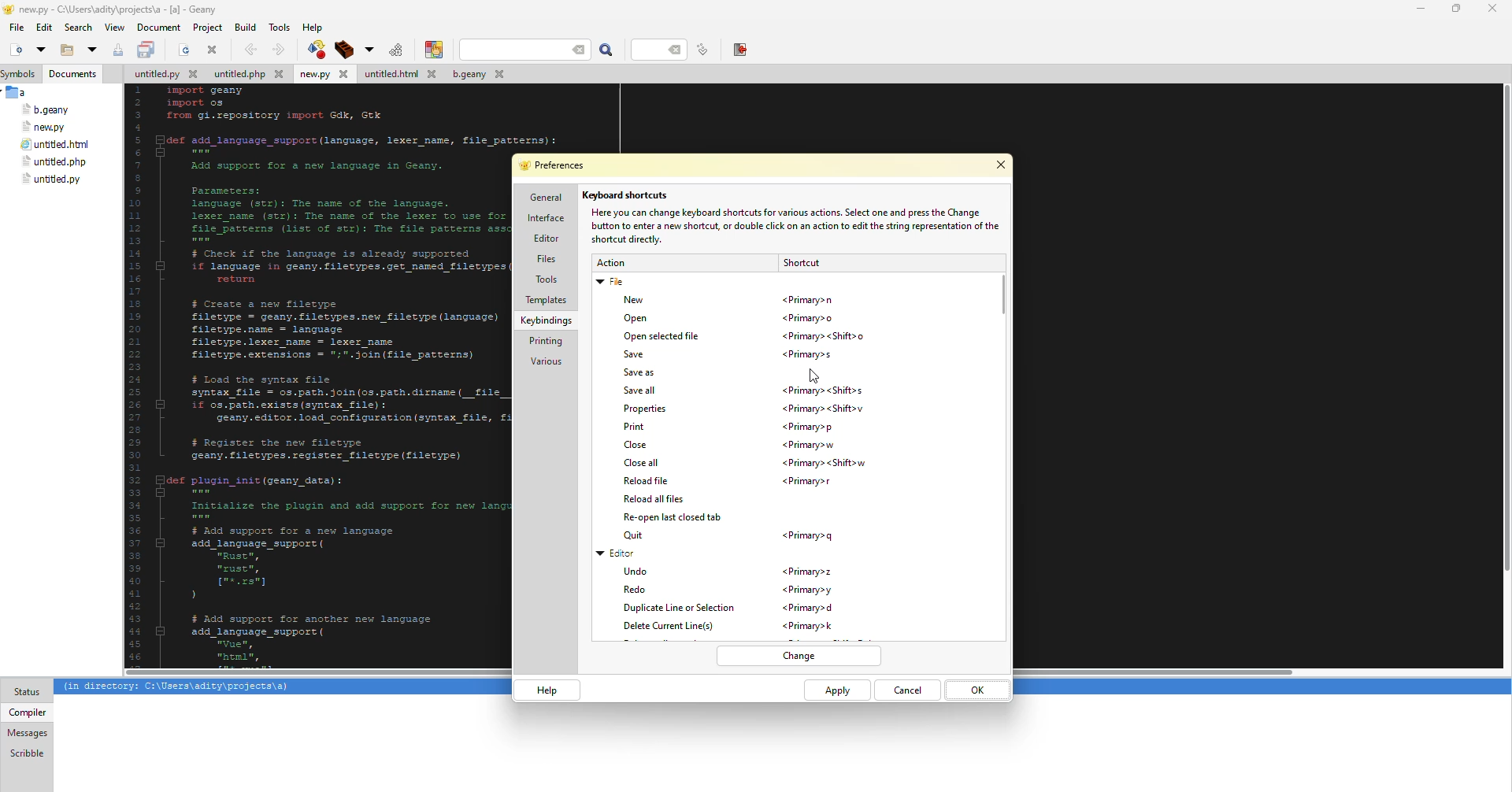  Describe the element at coordinates (147, 50) in the screenshot. I see `save` at that location.